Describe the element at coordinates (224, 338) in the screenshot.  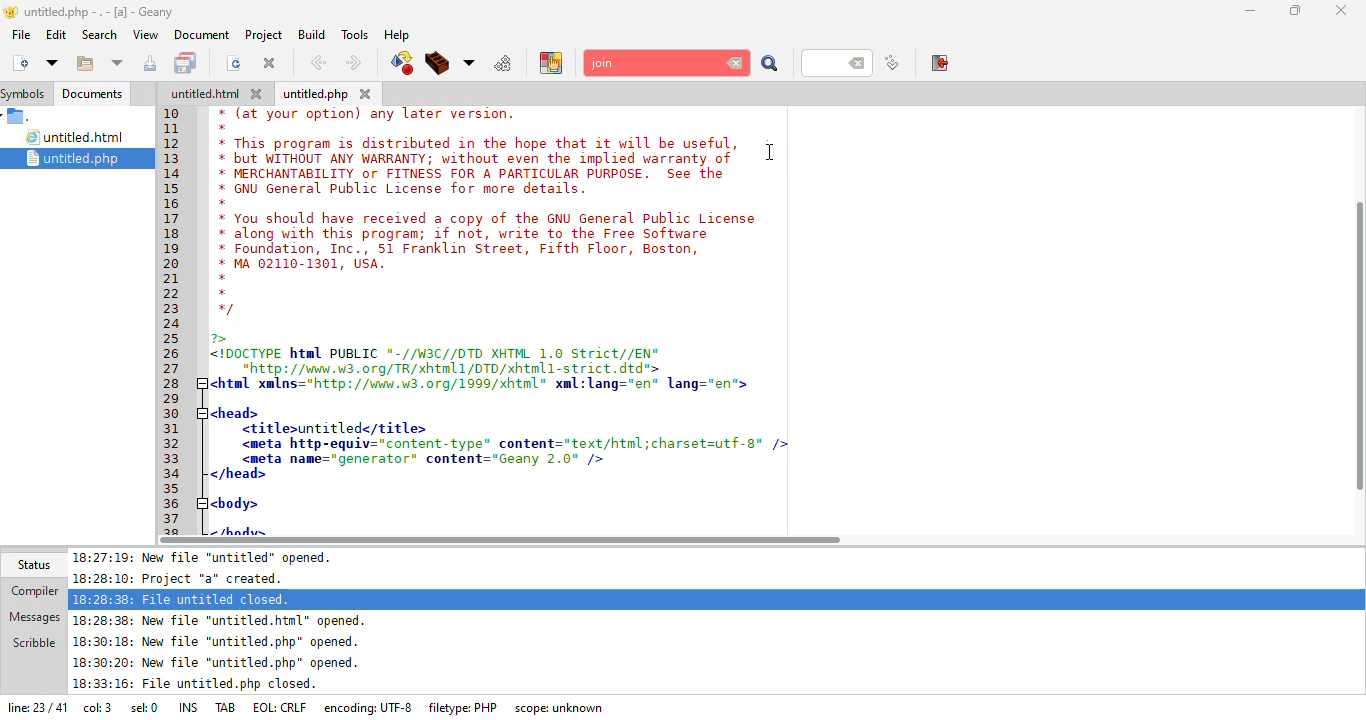
I see `?>` at that location.